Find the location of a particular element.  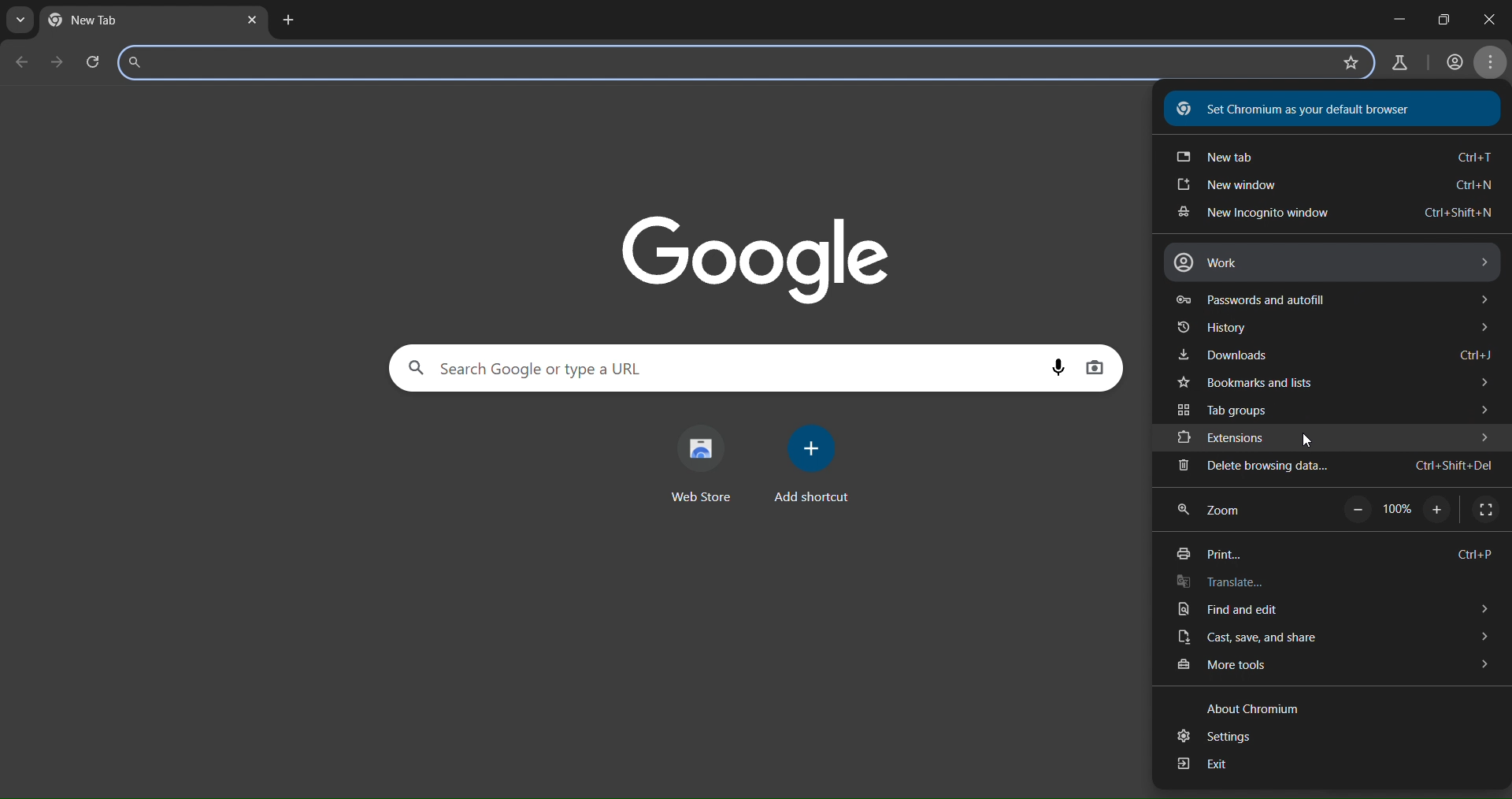

go forward one page is located at coordinates (57, 64).